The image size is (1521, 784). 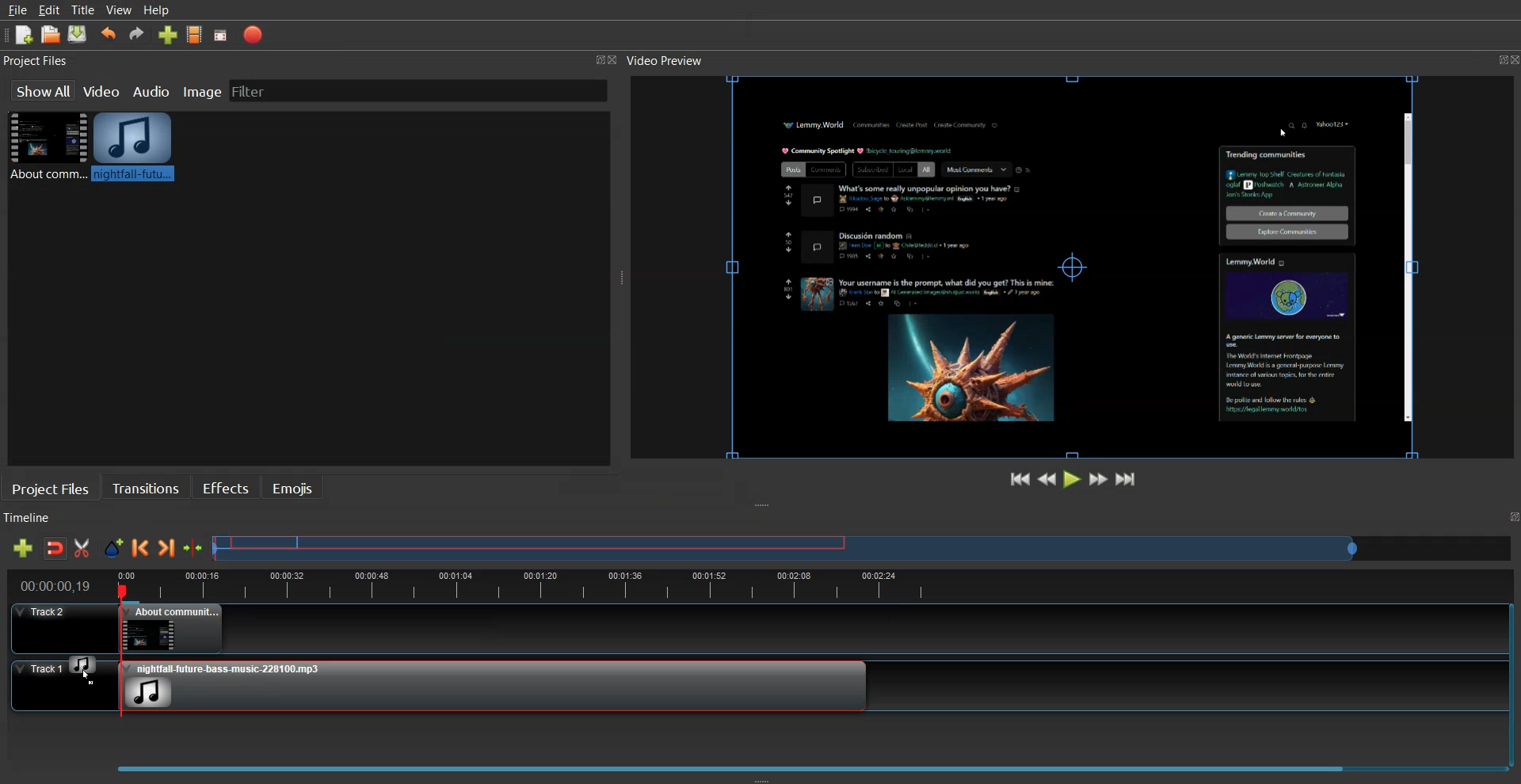 What do you see at coordinates (133, 146) in the screenshot?
I see `Audio Clip added` at bounding box center [133, 146].